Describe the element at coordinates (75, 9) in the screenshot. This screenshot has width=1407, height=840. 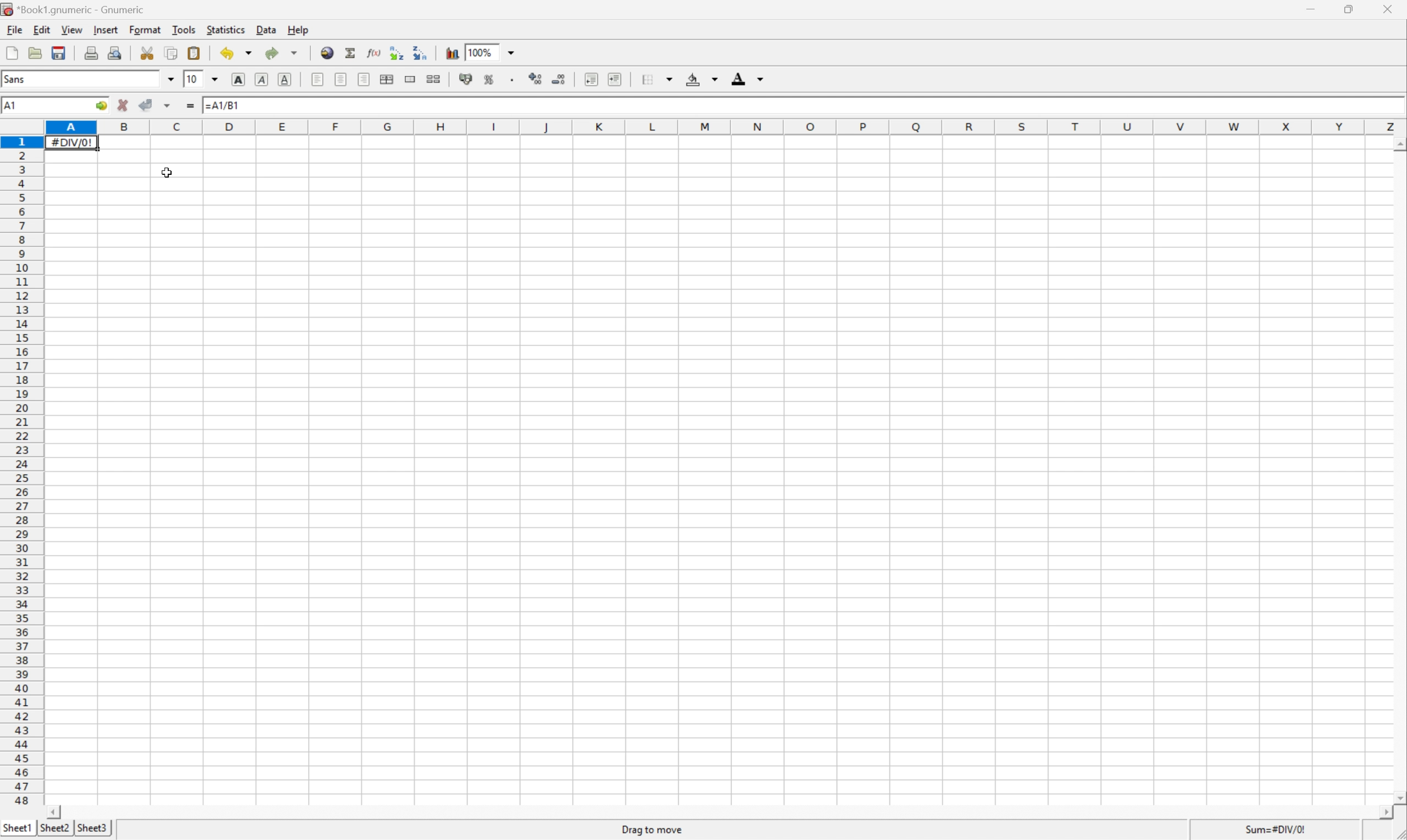
I see `*Book1.gnumeric - Gnumeric` at that location.